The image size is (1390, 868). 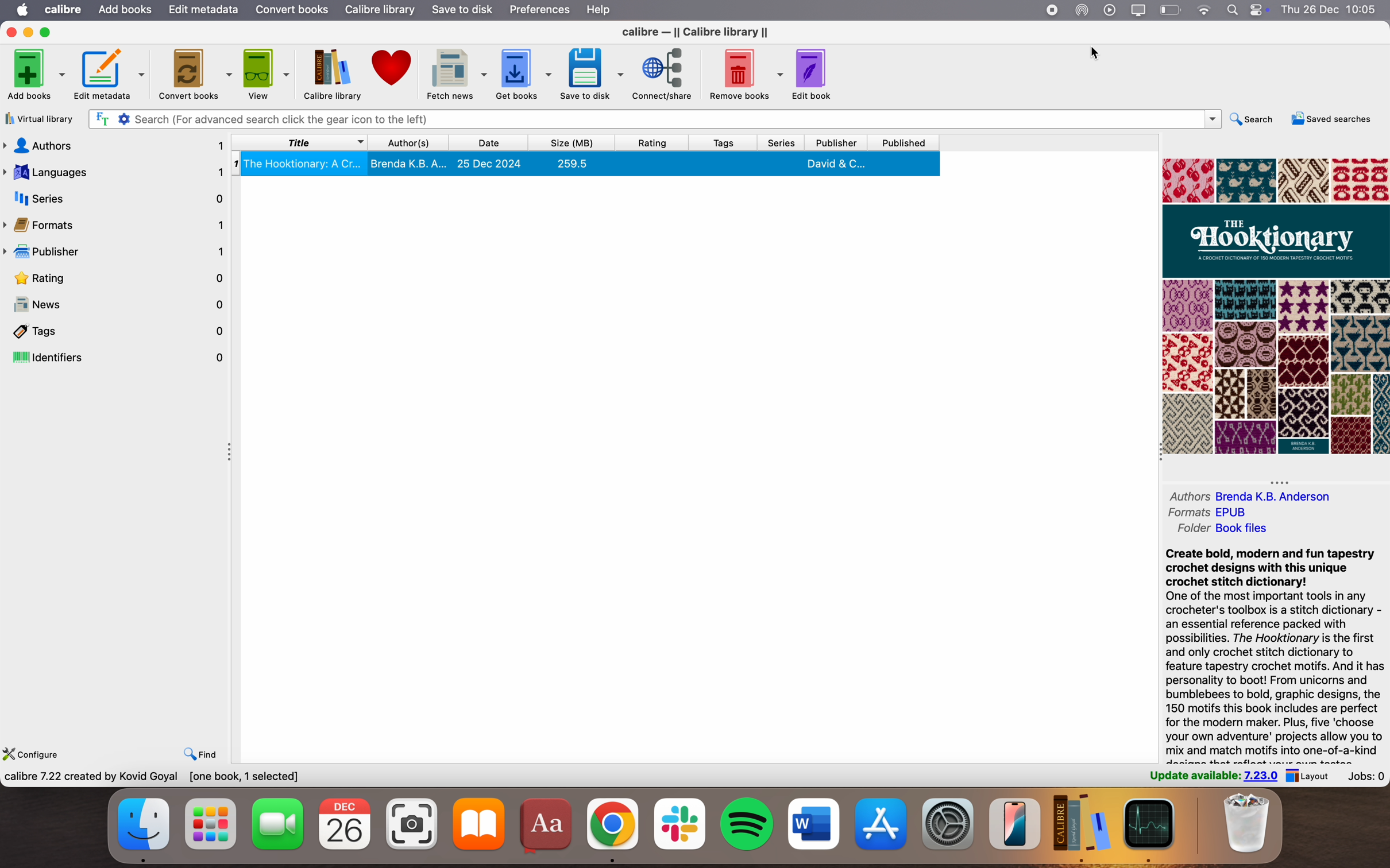 I want to click on formats, so click(x=1211, y=512).